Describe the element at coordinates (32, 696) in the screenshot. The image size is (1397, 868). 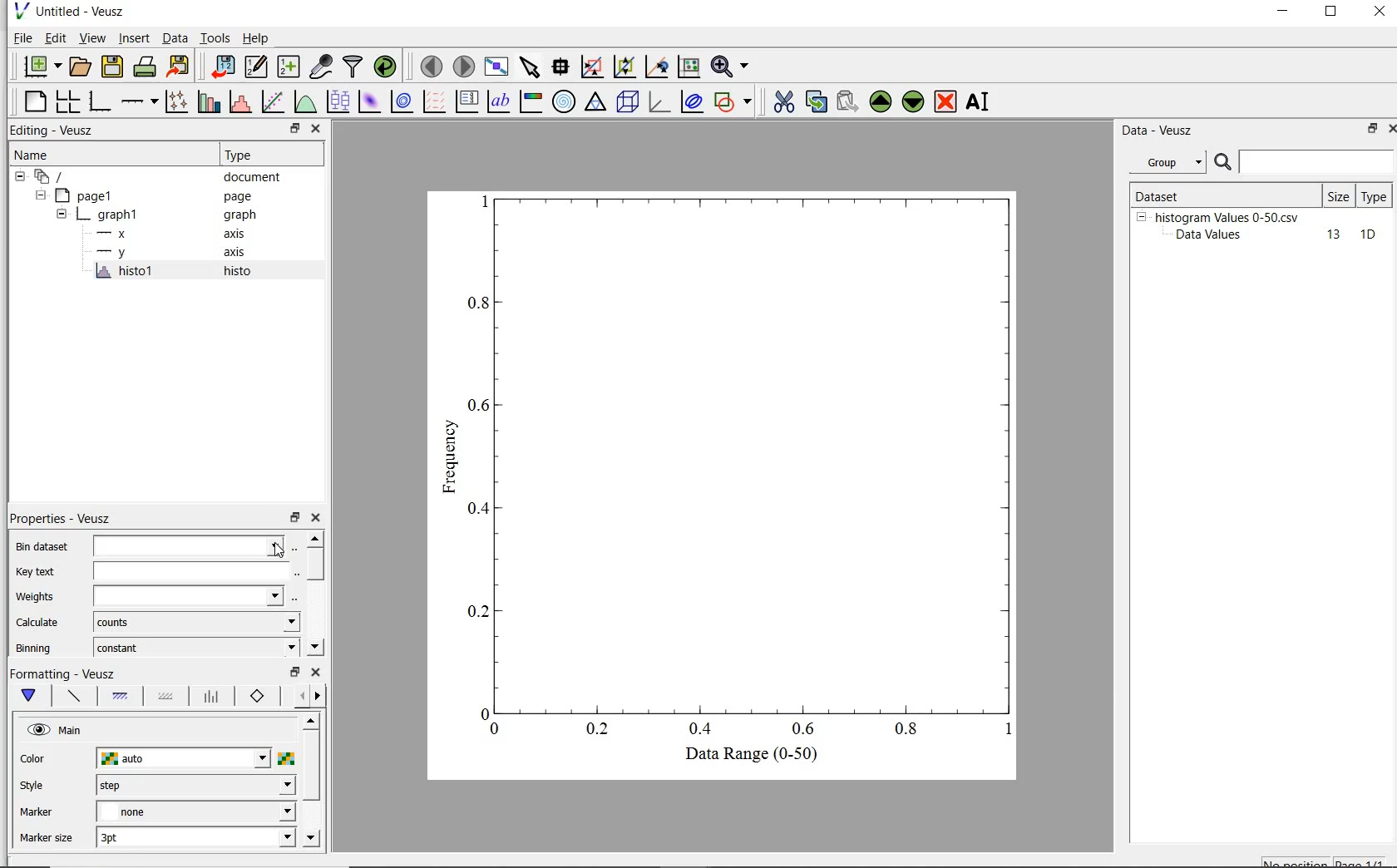
I see `main formatting` at that location.